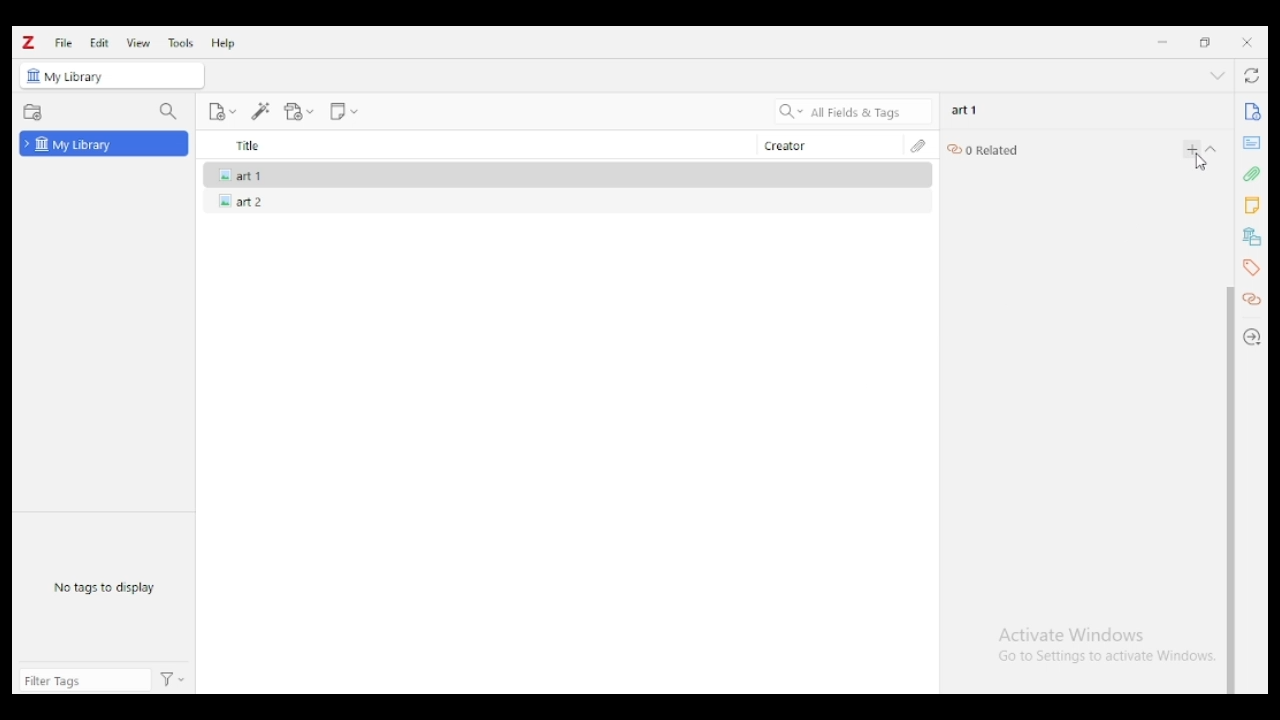 The height and width of the screenshot is (720, 1280). What do you see at coordinates (170, 112) in the screenshot?
I see `filter collection` at bounding box center [170, 112].